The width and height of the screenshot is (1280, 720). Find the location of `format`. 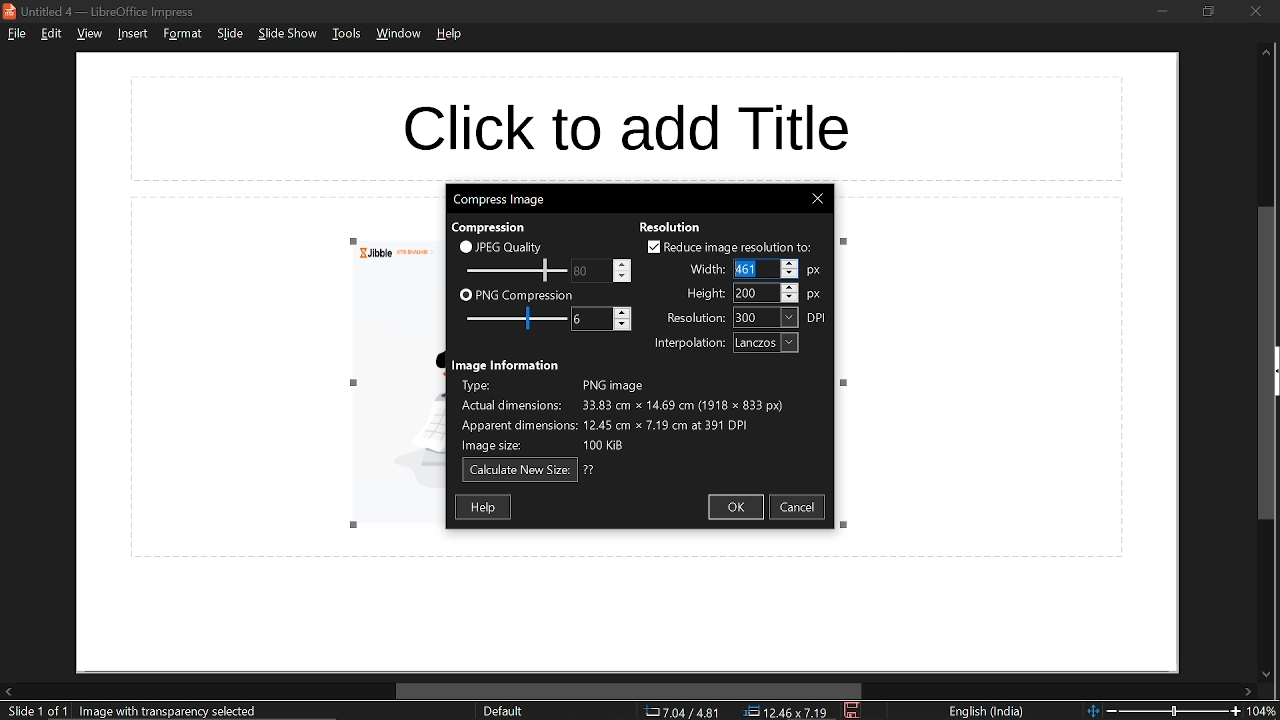

format is located at coordinates (182, 34).